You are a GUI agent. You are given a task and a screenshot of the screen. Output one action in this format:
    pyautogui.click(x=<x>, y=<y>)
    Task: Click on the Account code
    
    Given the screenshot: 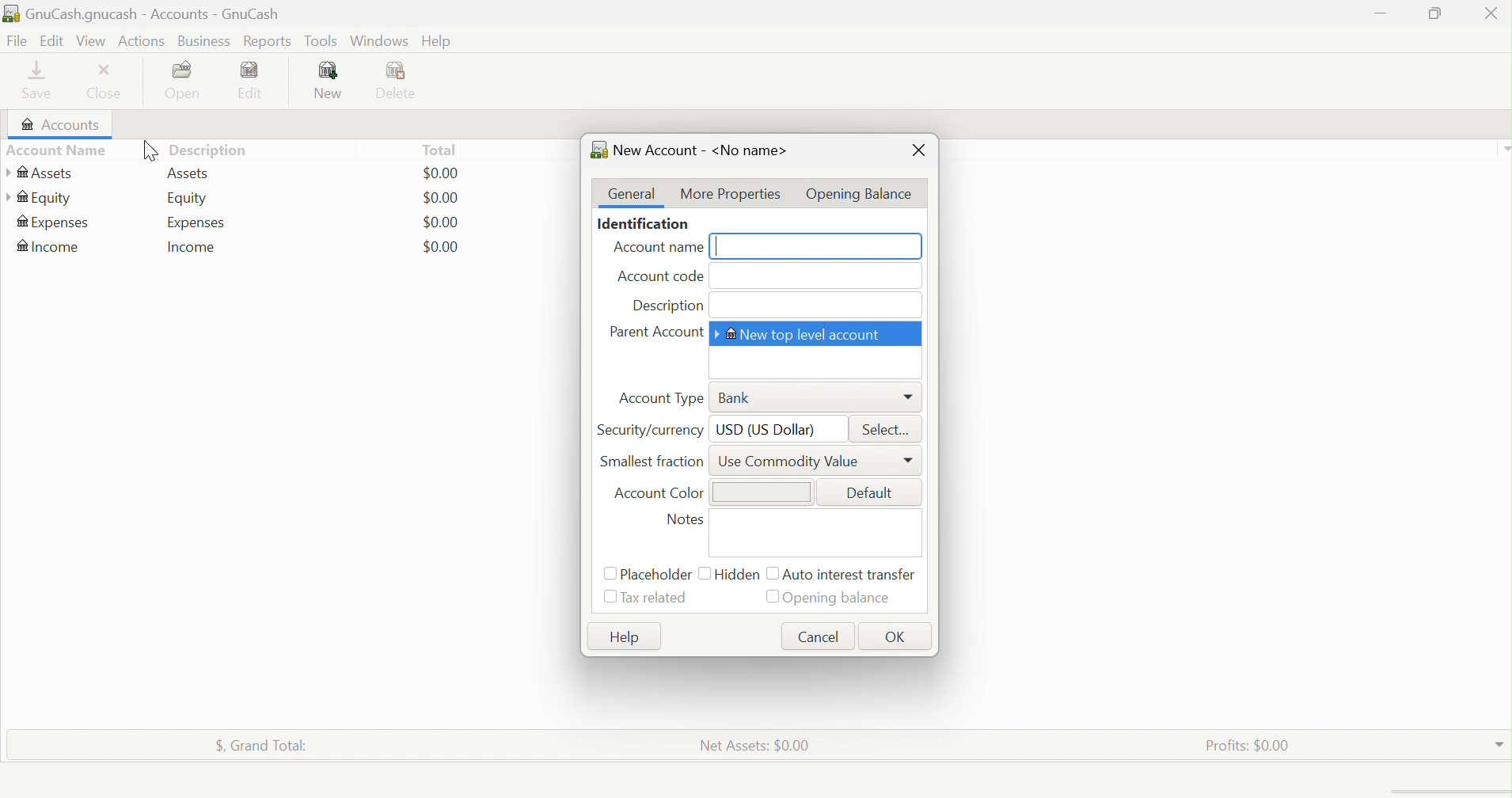 What is the action you would take?
    pyautogui.click(x=660, y=278)
    